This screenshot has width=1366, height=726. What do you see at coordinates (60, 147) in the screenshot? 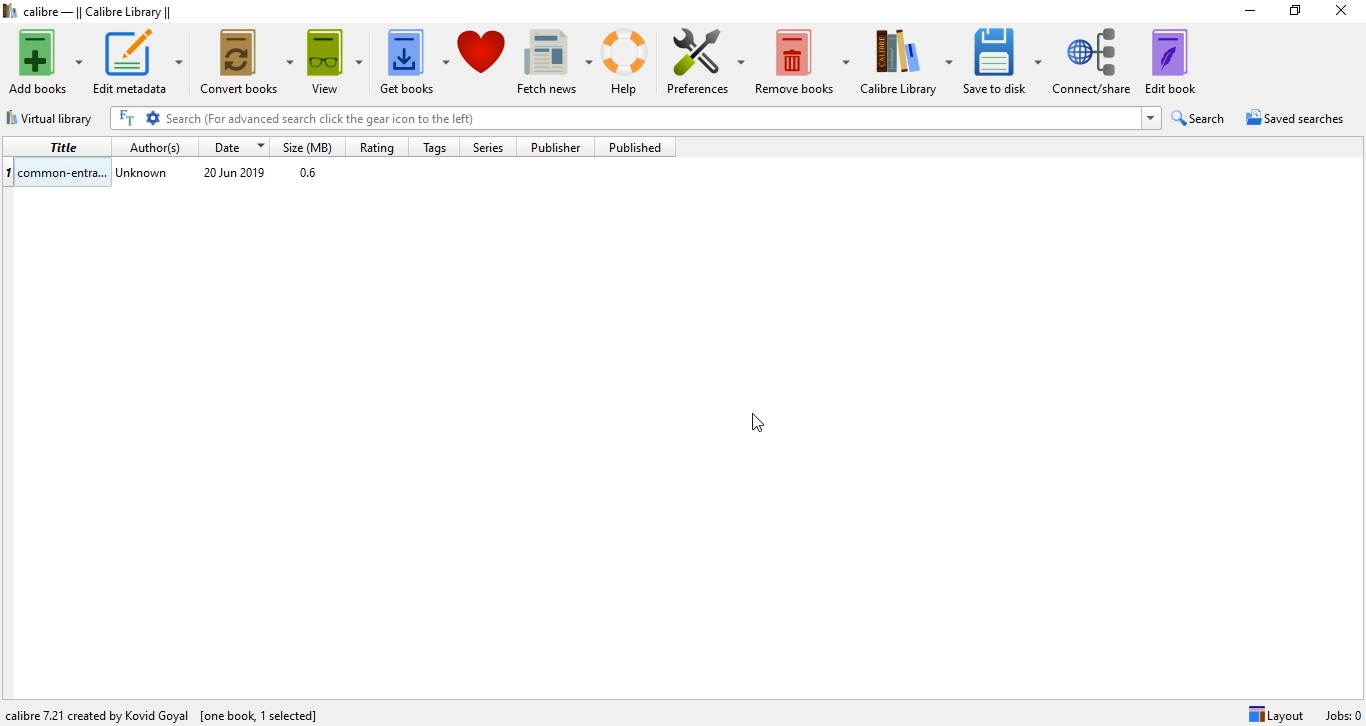
I see `Title` at bounding box center [60, 147].